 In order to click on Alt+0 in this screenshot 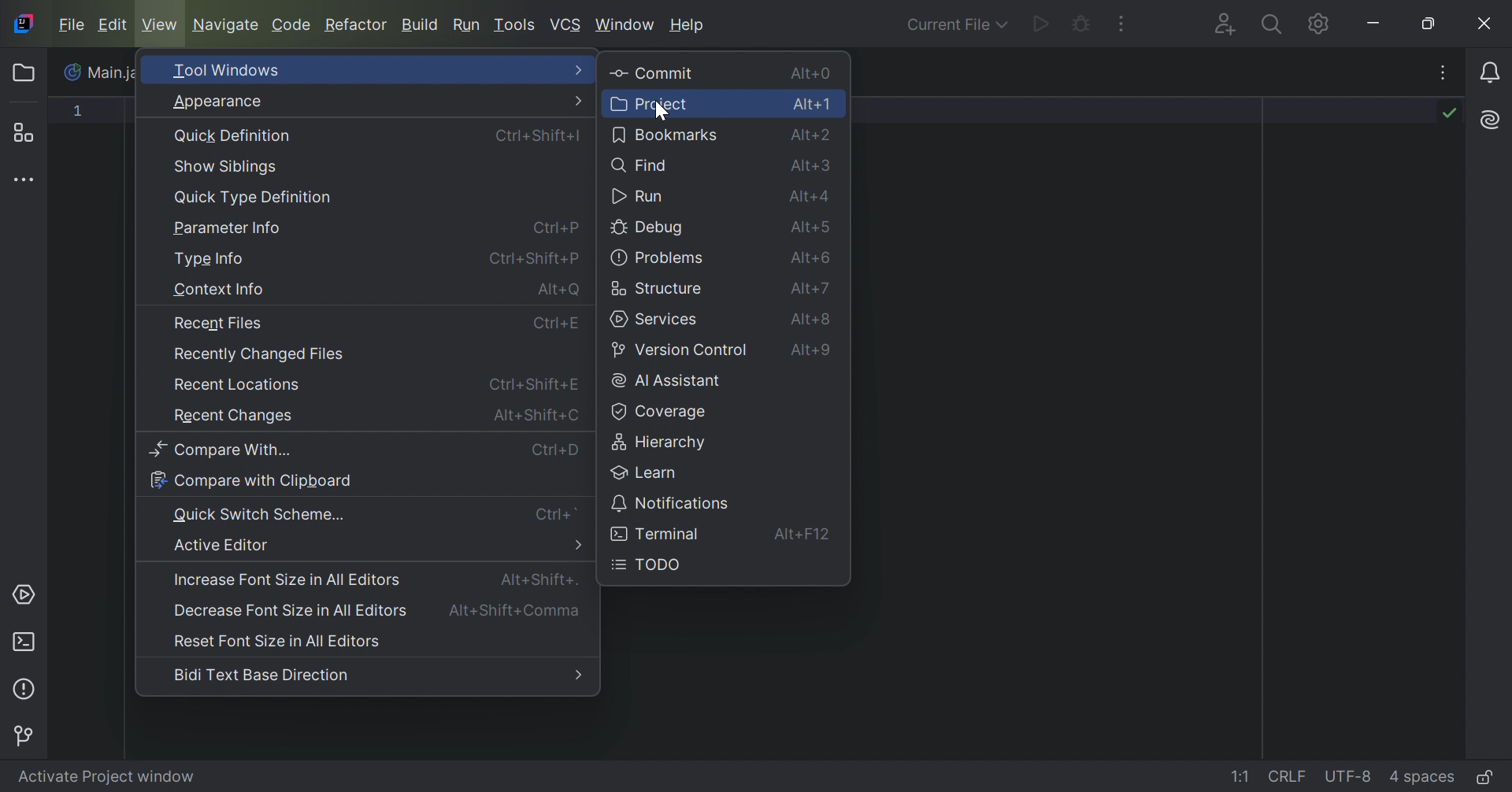, I will do `click(808, 73)`.